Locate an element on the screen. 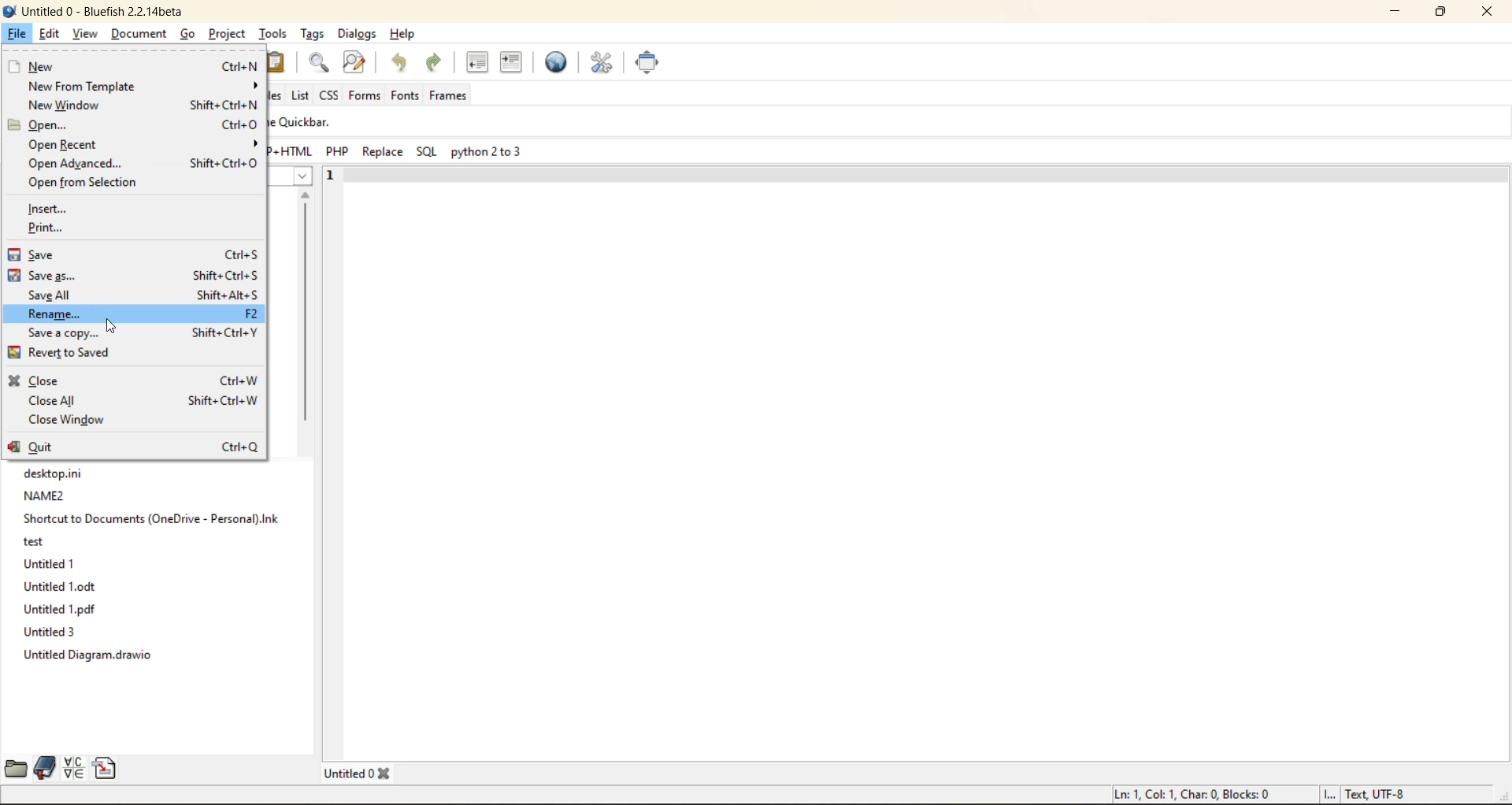  forms is located at coordinates (366, 96).